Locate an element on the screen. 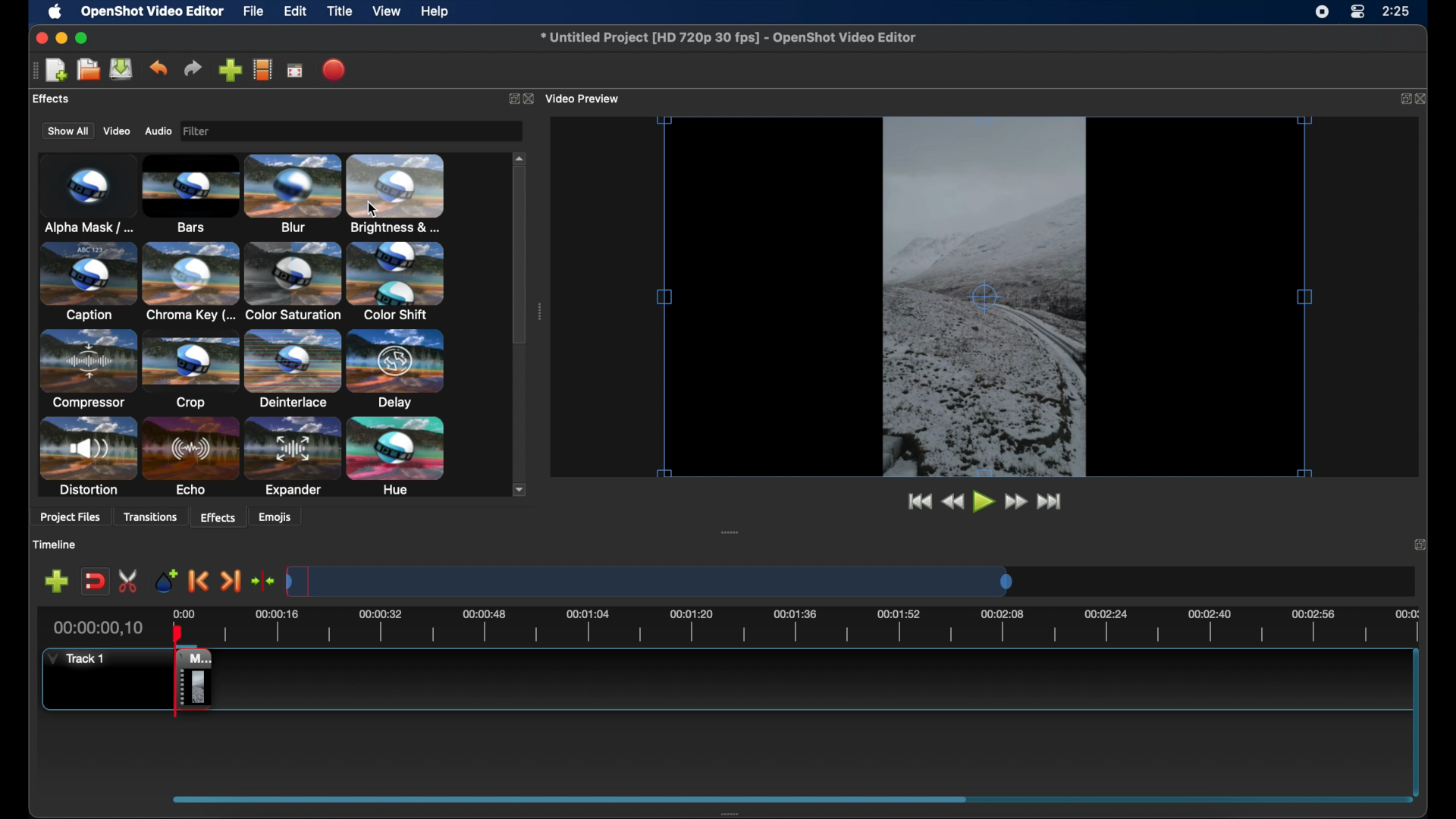 This screenshot has height=819, width=1456. disable snapping is located at coordinates (96, 582).